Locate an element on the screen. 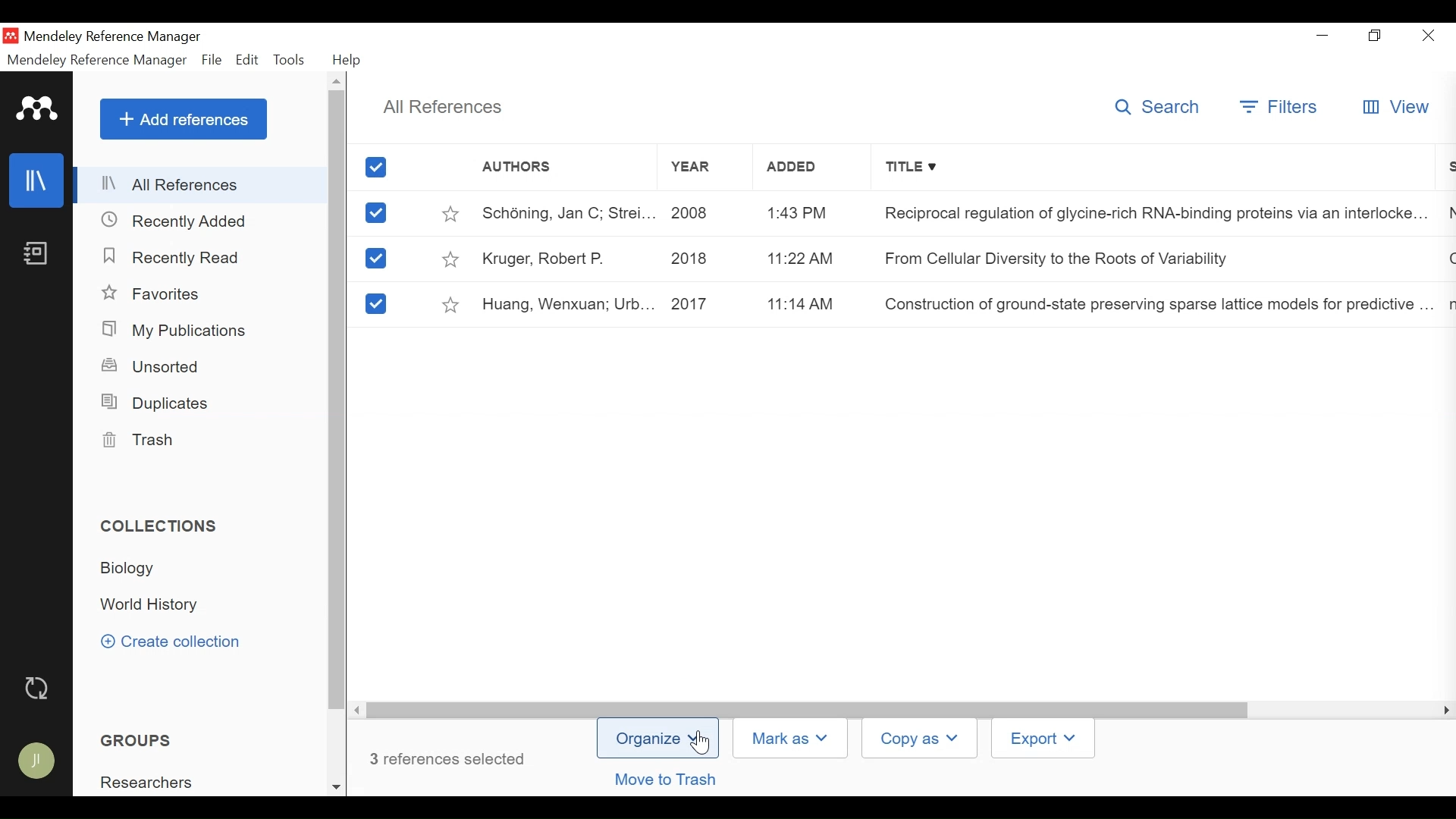 The width and height of the screenshot is (1456, 819). Authors is located at coordinates (563, 171).